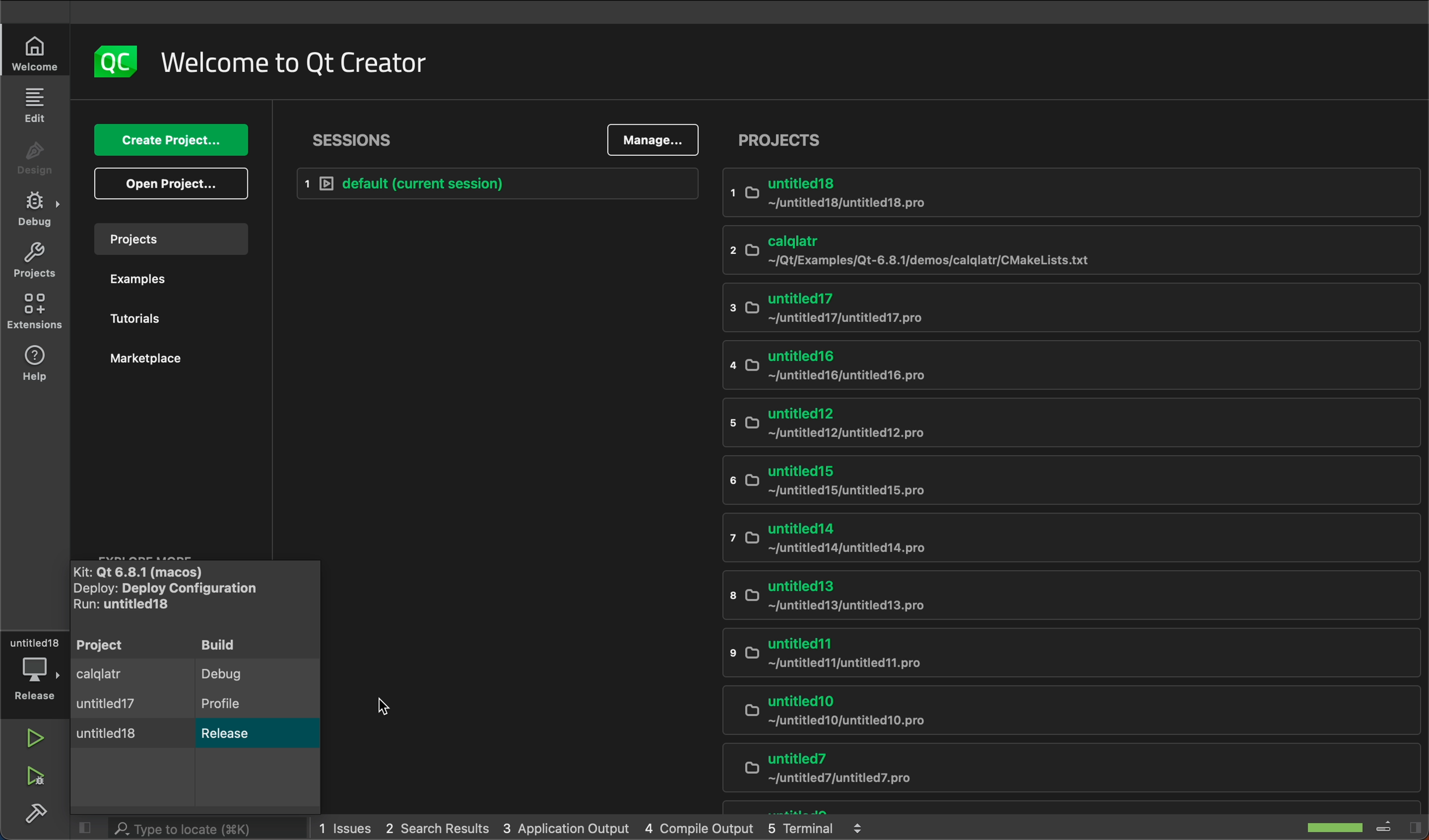 The width and height of the screenshot is (1429, 840). I want to click on search, so click(191, 826).